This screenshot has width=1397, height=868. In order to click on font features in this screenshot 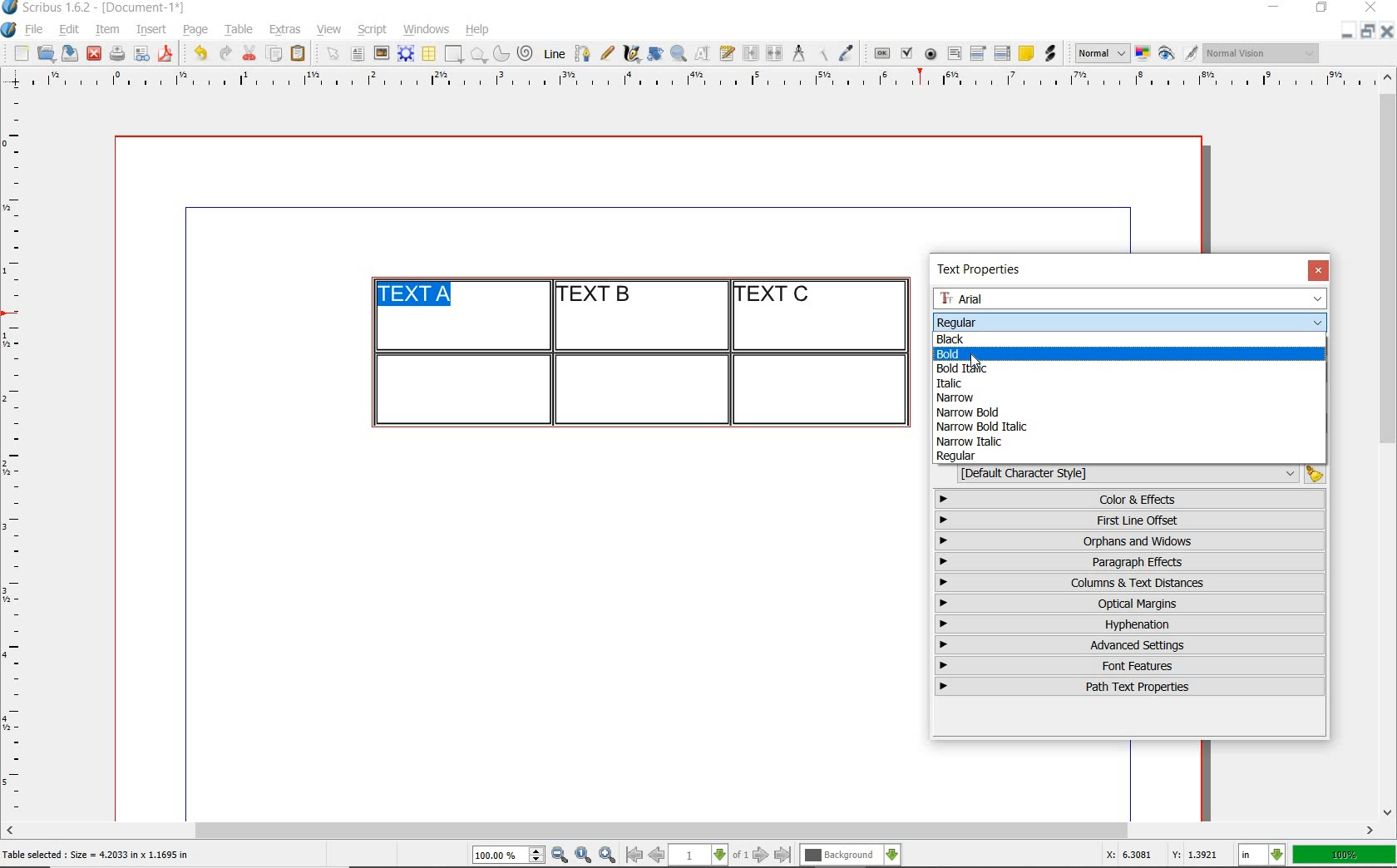, I will do `click(1130, 665)`.